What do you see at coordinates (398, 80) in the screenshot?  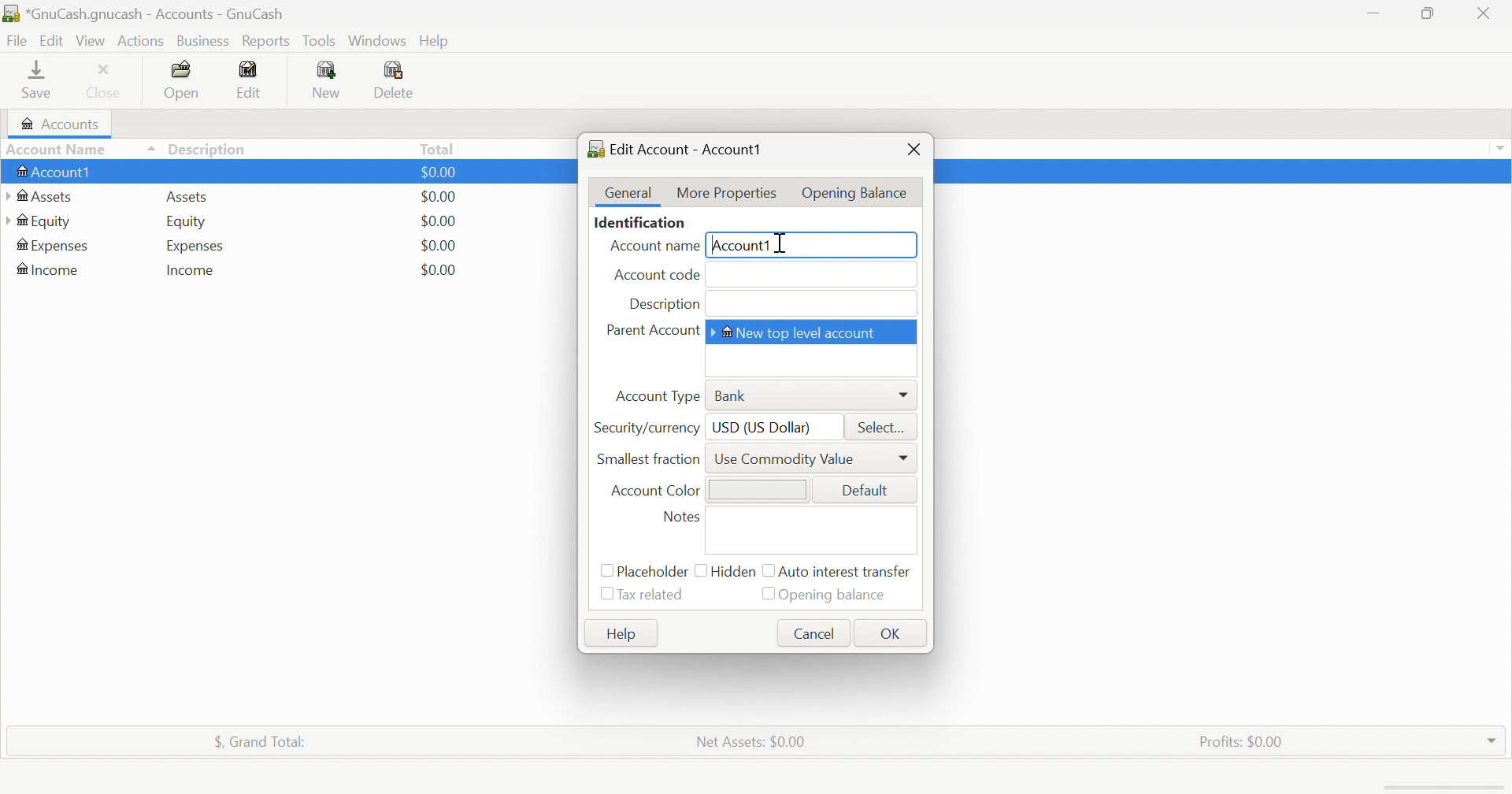 I see `Delete` at bounding box center [398, 80].